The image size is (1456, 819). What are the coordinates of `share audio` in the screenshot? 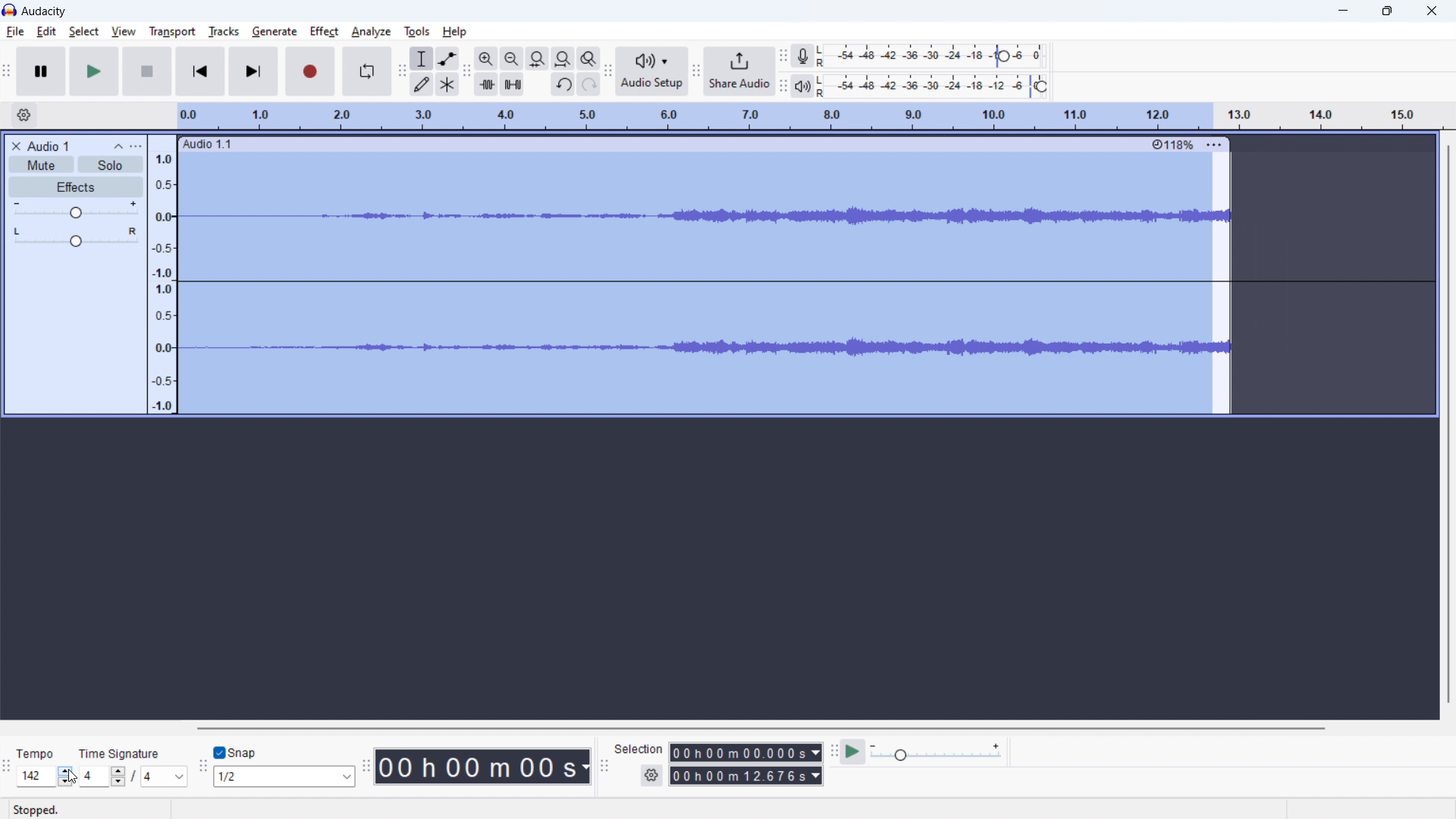 It's located at (739, 71).